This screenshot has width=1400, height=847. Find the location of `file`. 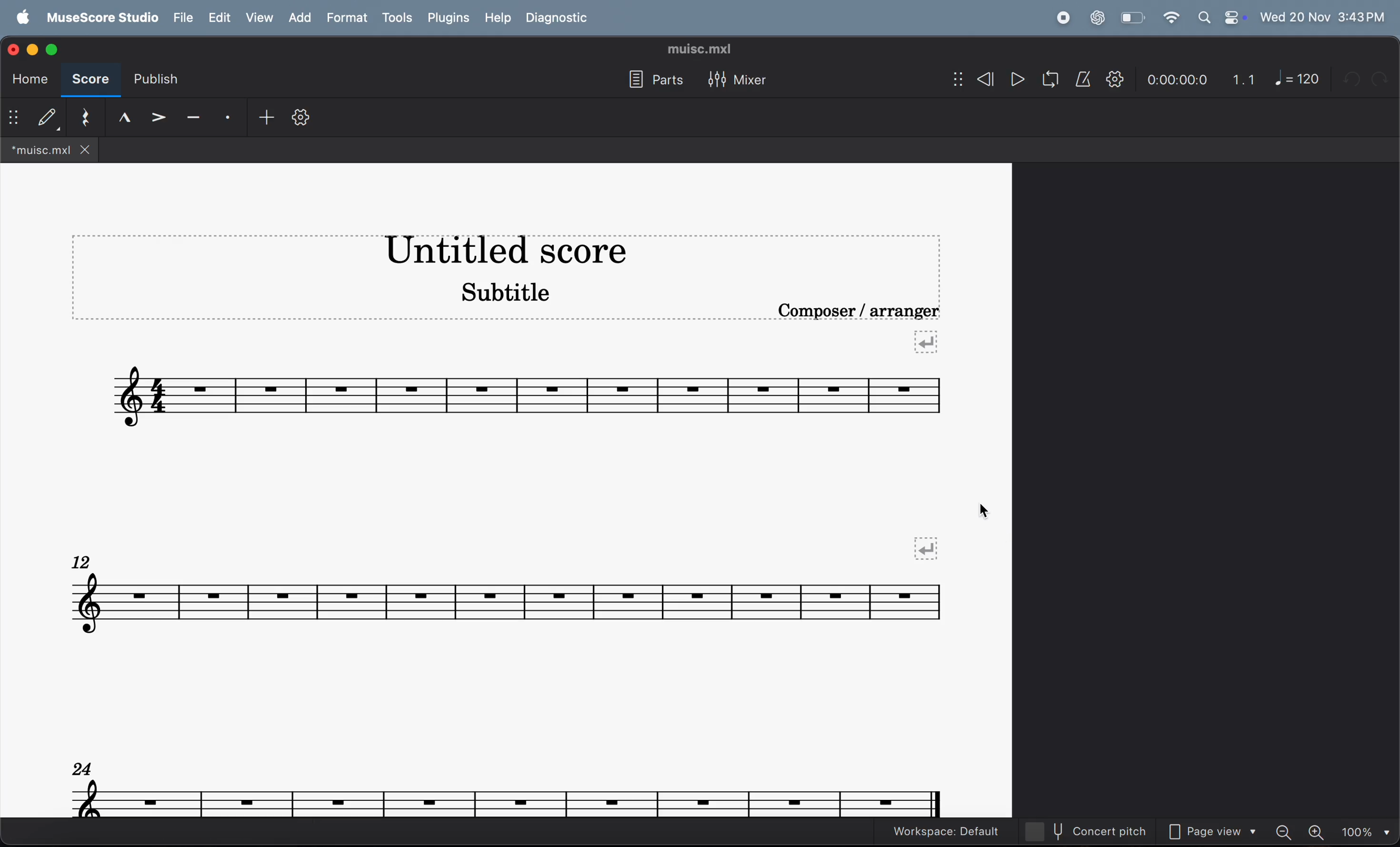

file is located at coordinates (182, 16).